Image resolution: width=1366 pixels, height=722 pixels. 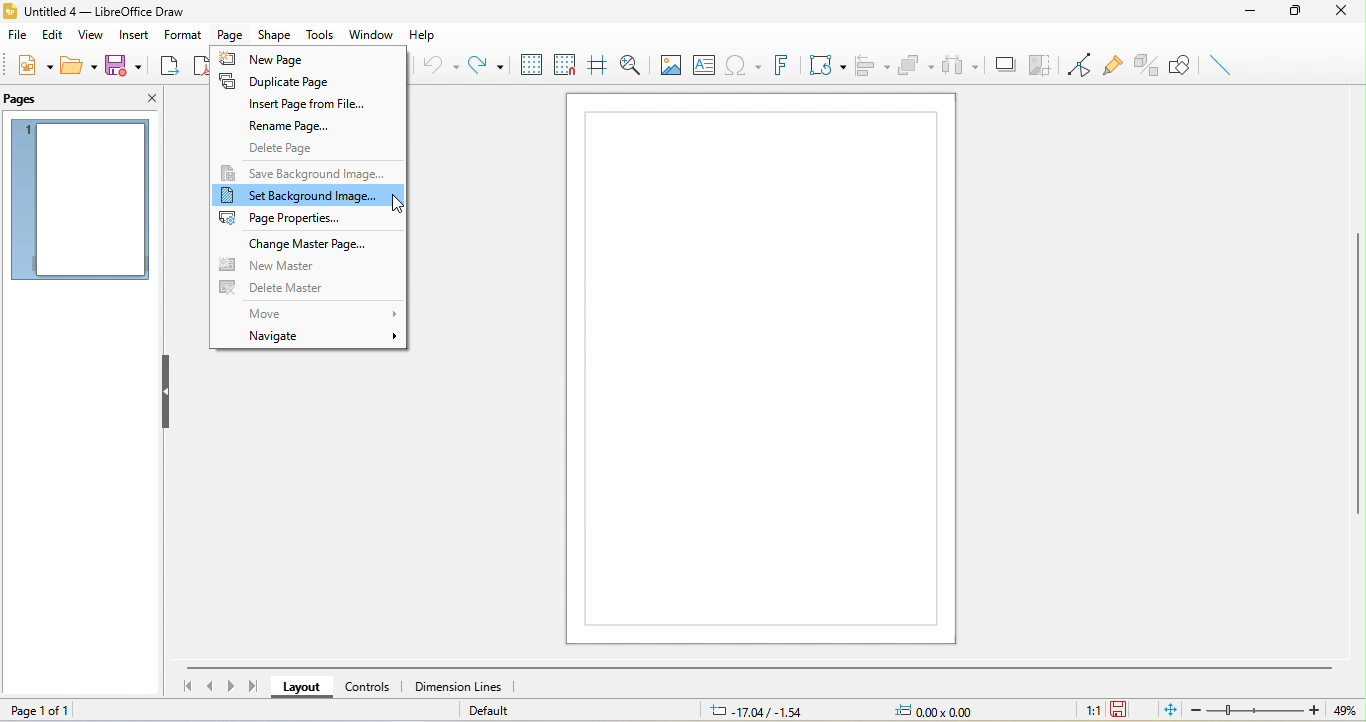 I want to click on the document has not been modified since the last save, so click(x=1130, y=709).